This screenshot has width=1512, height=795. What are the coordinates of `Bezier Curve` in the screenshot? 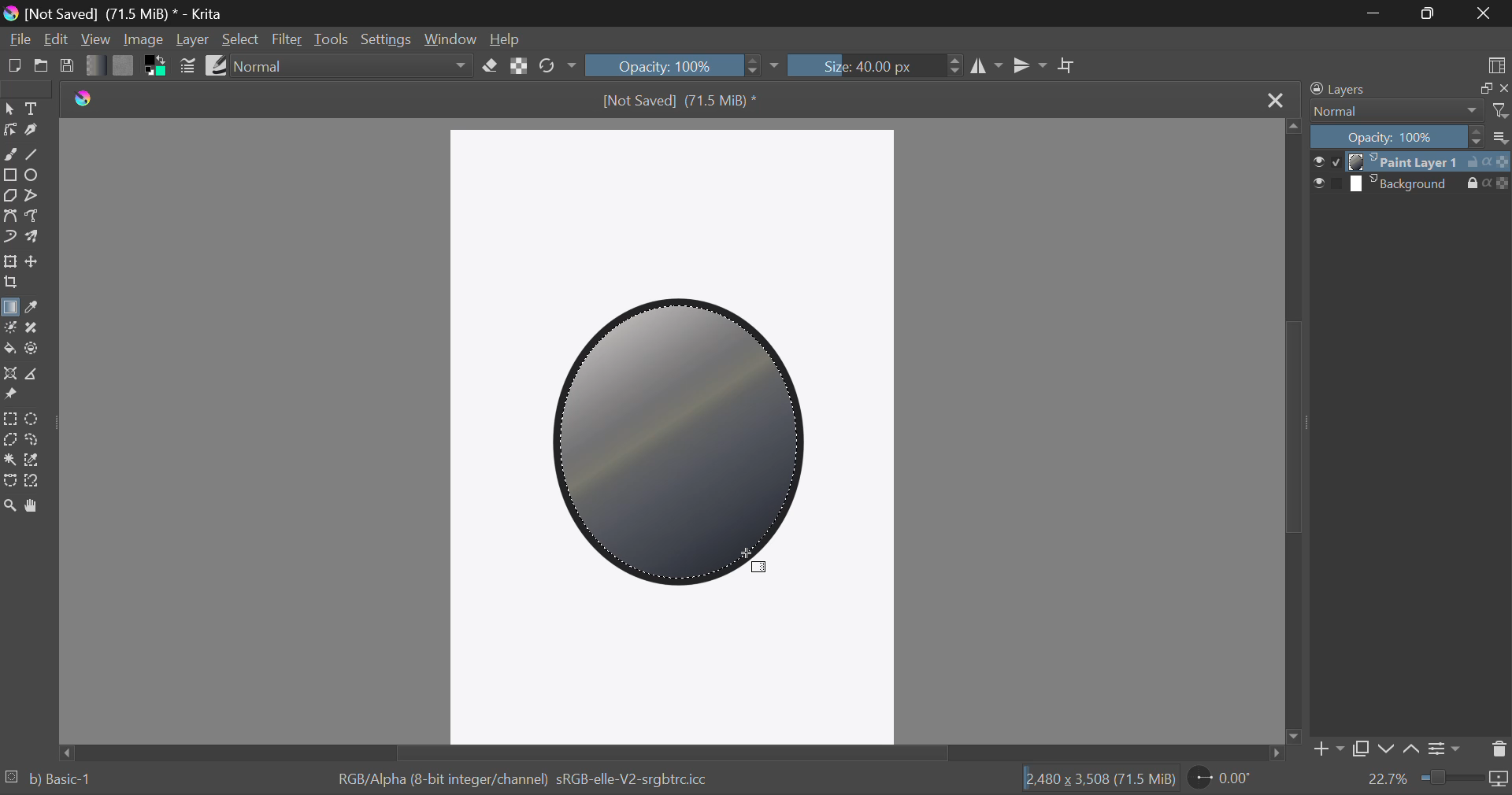 It's located at (10, 216).